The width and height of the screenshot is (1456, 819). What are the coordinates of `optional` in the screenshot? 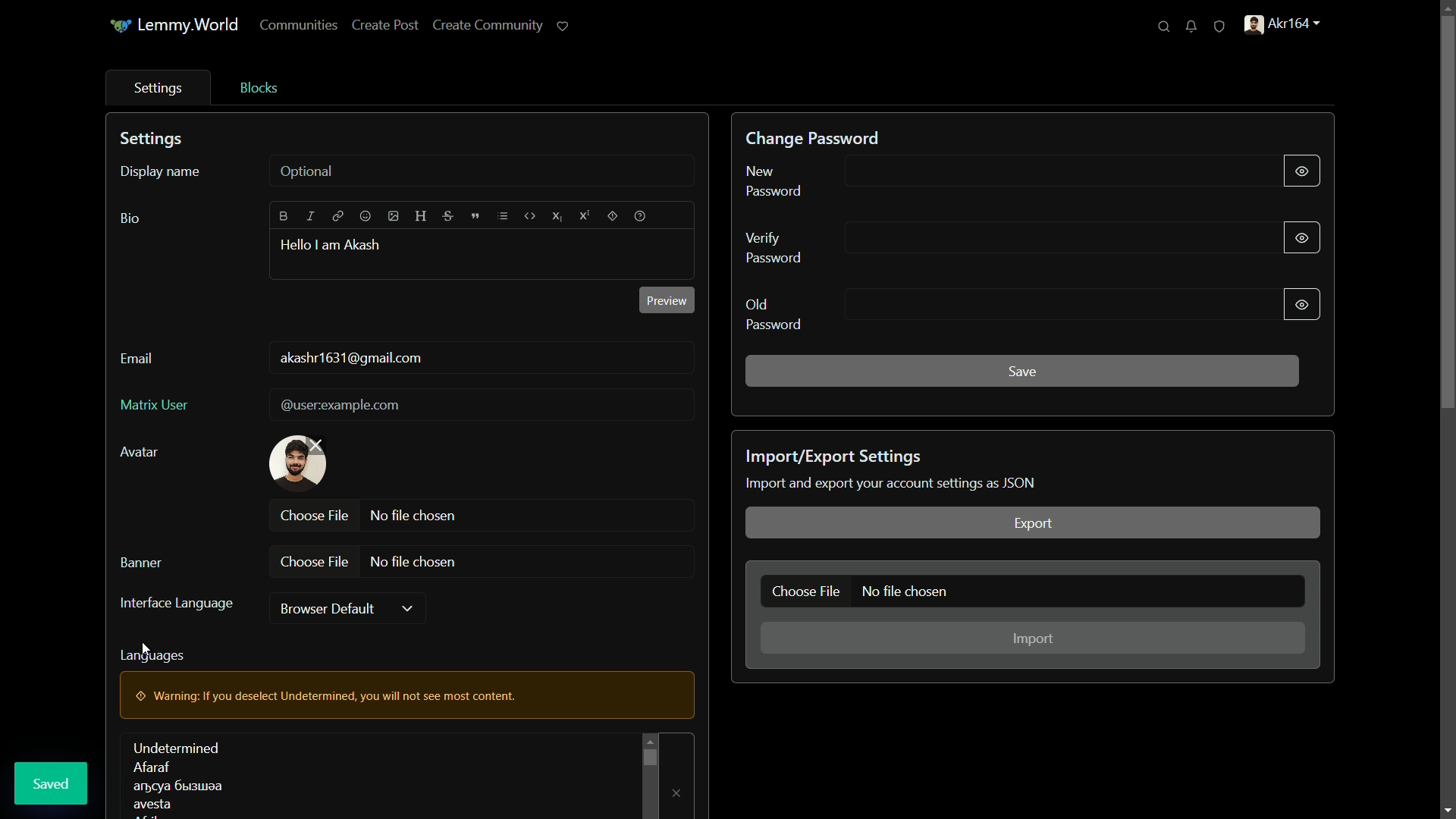 It's located at (307, 172).